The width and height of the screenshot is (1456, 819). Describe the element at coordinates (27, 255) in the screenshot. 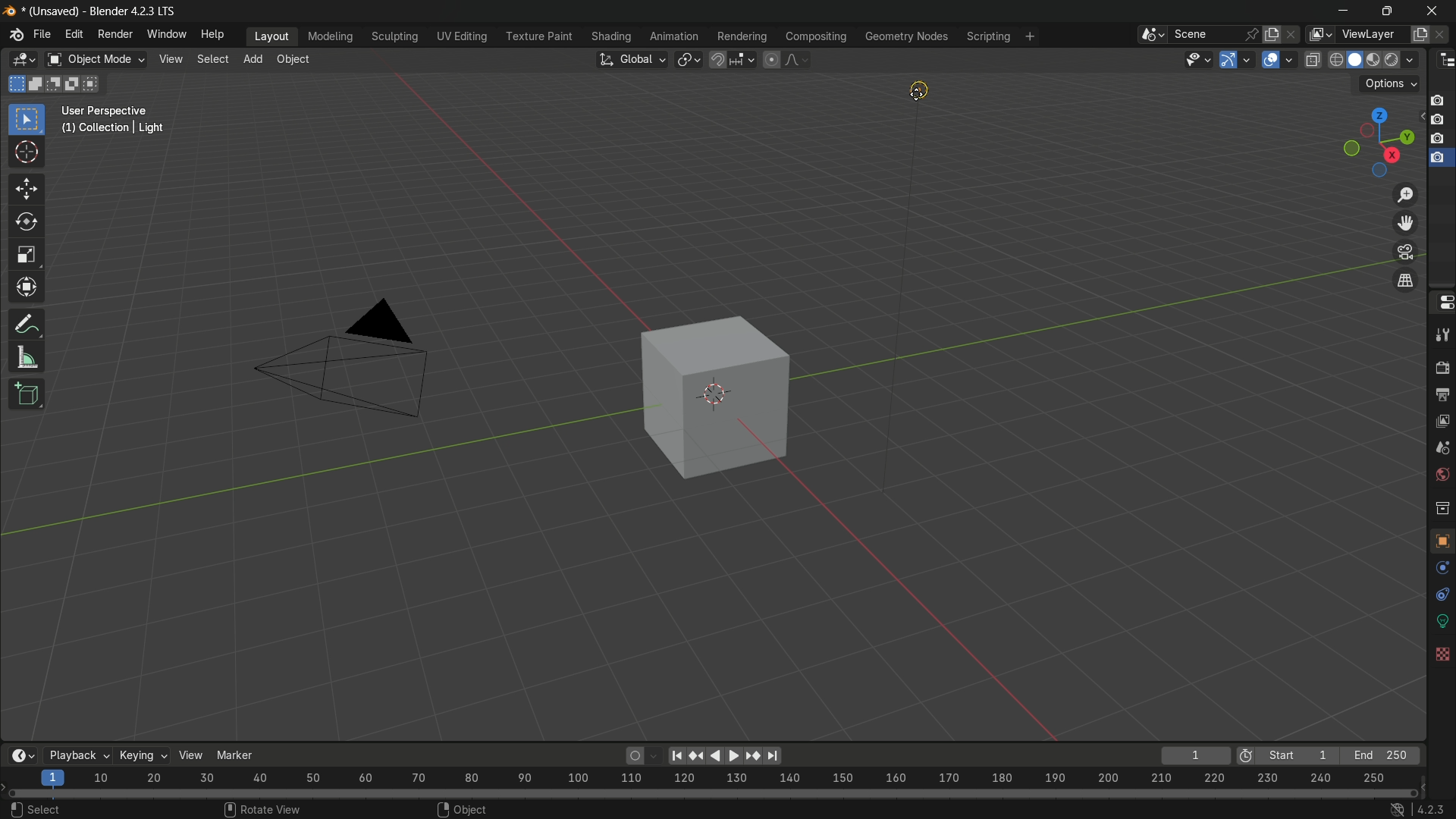

I see `scale` at that location.